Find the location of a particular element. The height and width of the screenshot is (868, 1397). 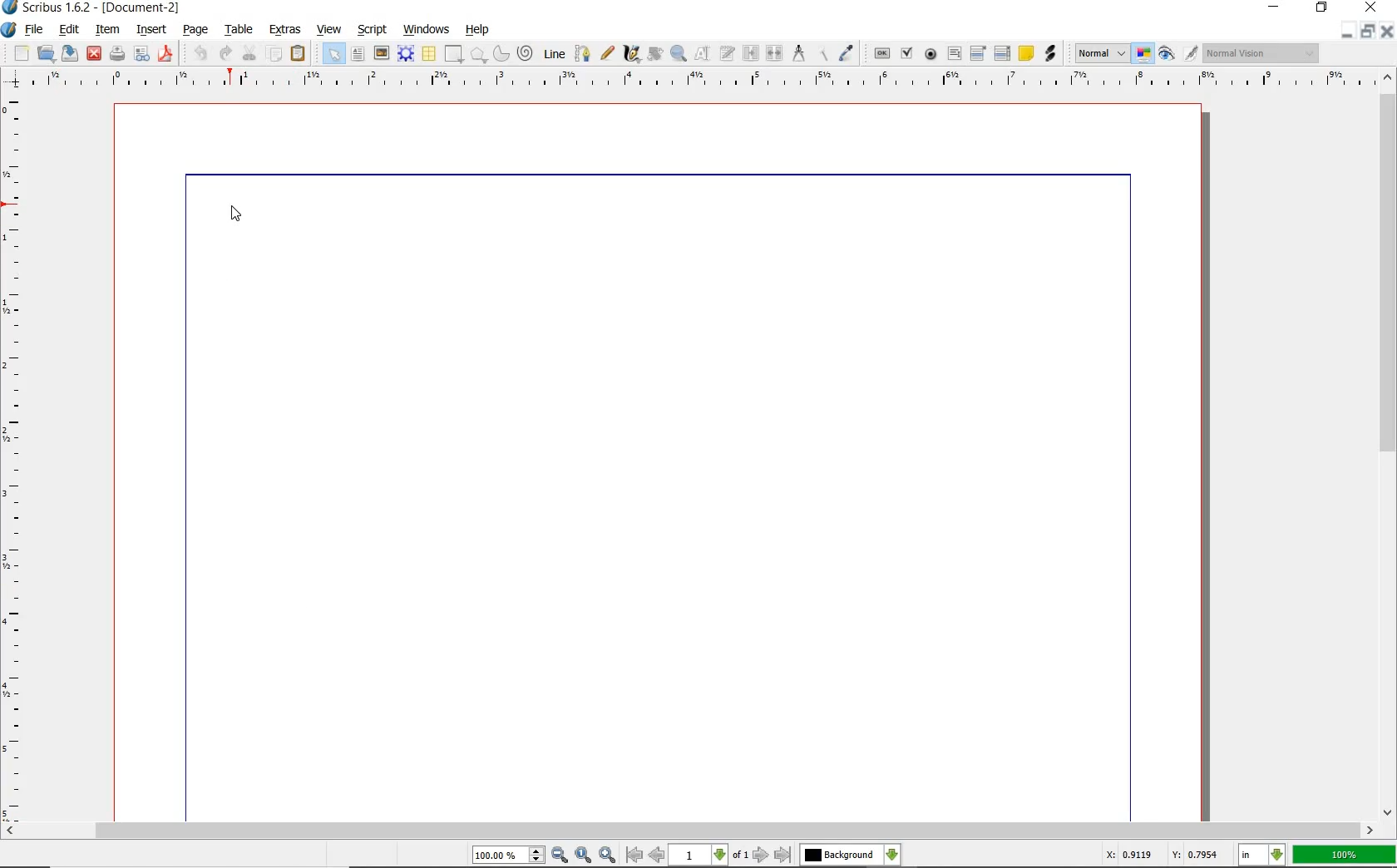

freehand line is located at coordinates (608, 54).